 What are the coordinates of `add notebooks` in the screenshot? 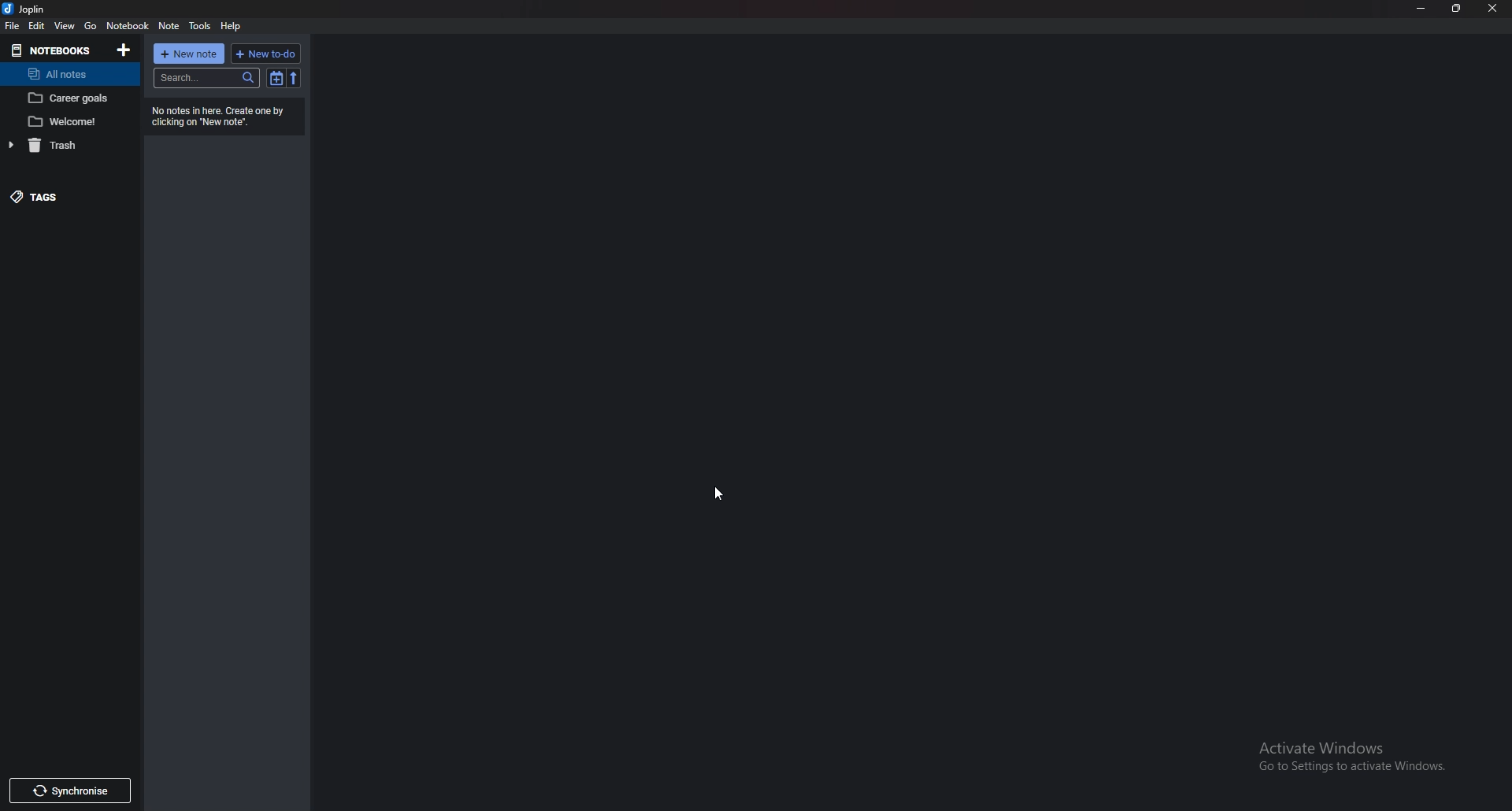 It's located at (124, 50).